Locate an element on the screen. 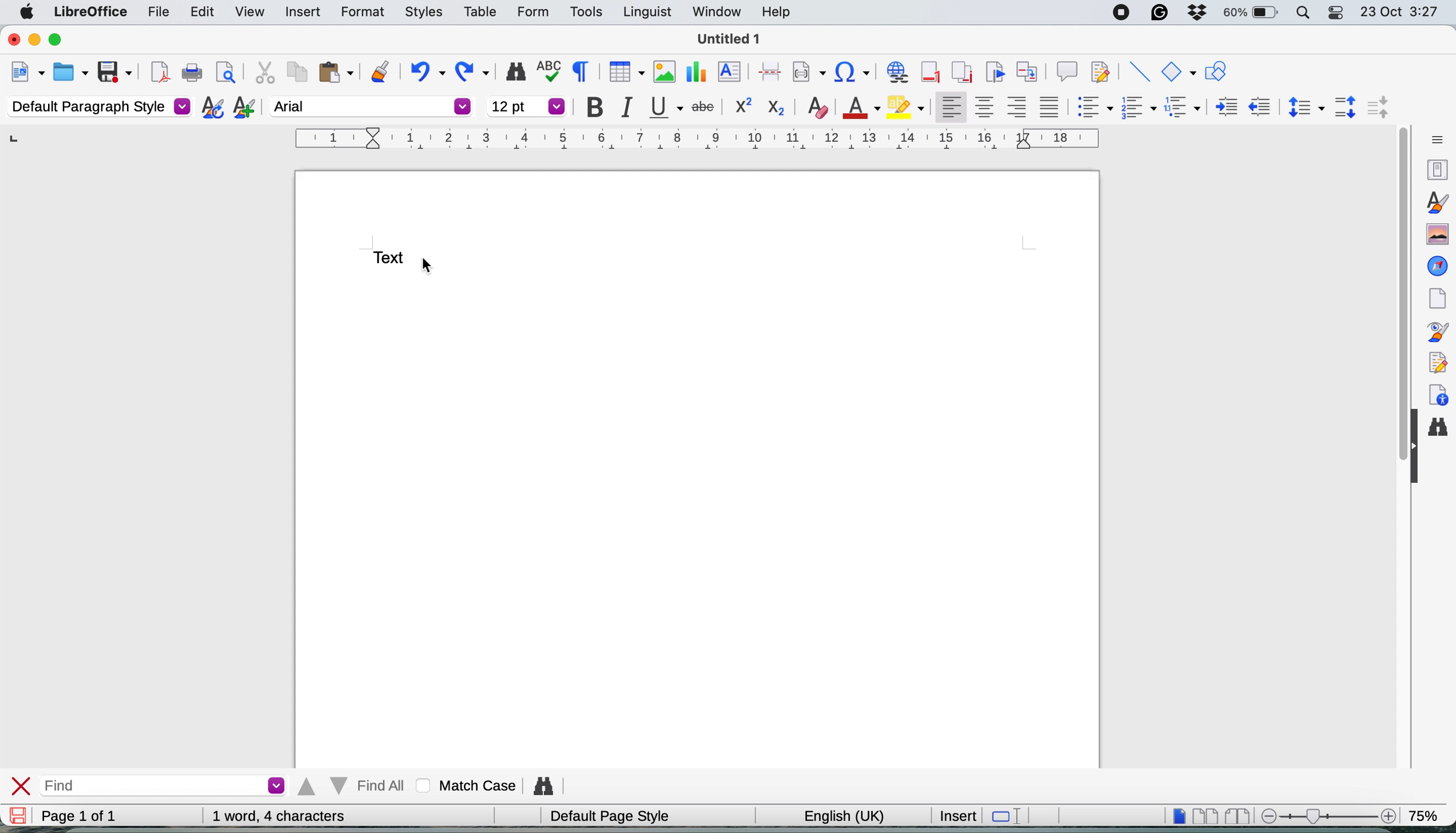 This screenshot has width=1456, height=833. print preview is located at coordinates (225, 74).